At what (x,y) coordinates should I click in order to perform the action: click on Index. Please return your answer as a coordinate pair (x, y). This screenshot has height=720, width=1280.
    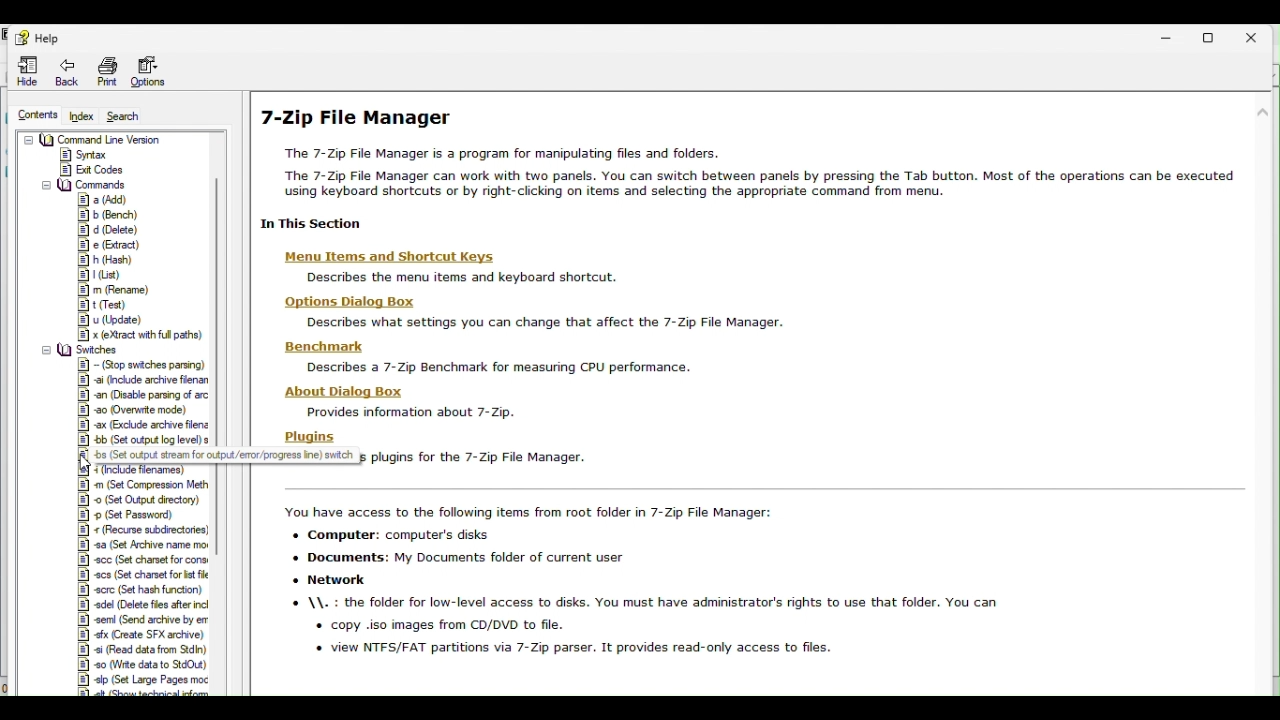
    Looking at the image, I should click on (80, 118).